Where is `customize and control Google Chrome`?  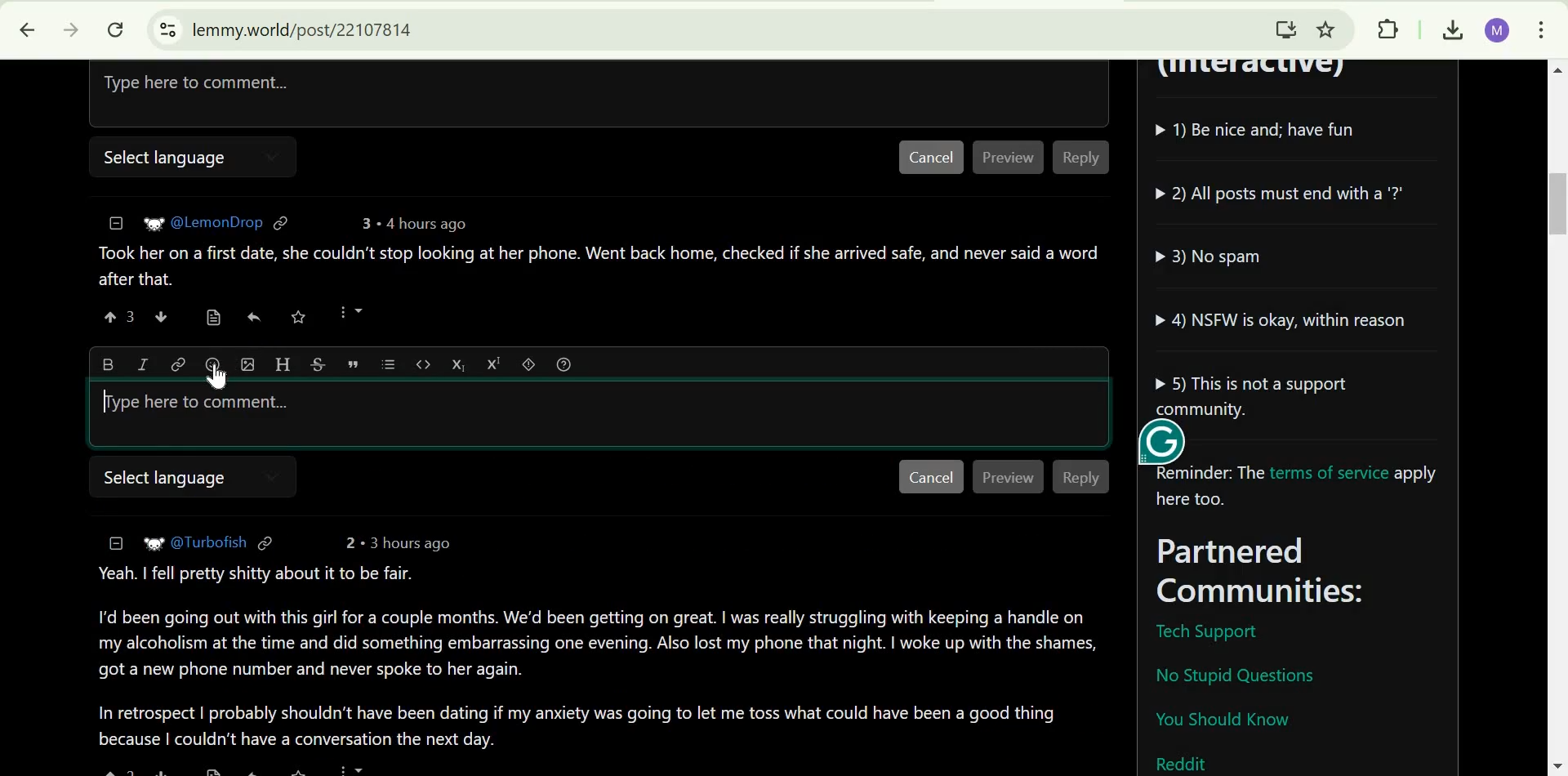 customize and control Google Chrome is located at coordinates (1542, 32).